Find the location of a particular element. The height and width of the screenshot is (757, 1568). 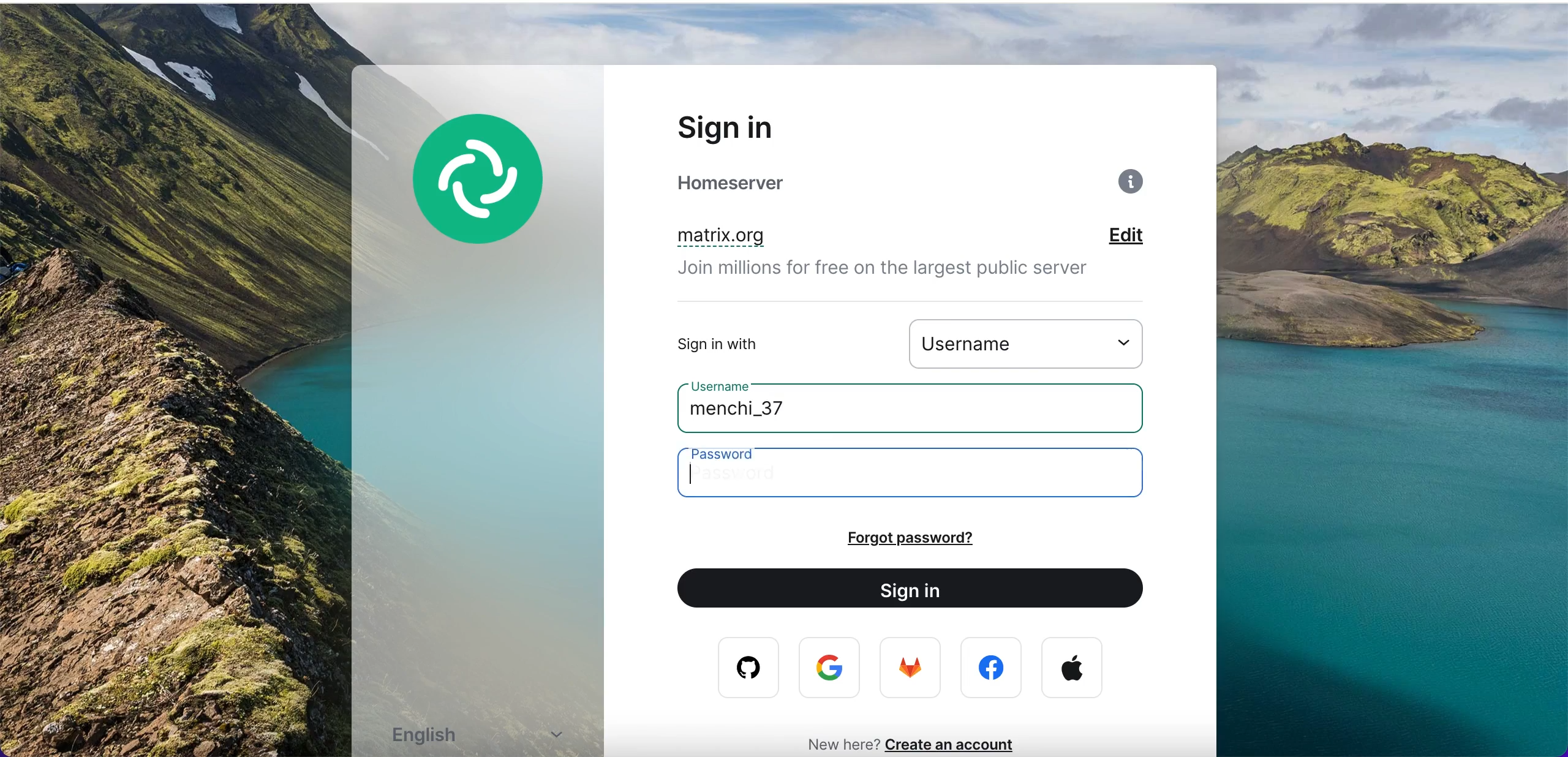

text cursor is located at coordinates (694, 473).